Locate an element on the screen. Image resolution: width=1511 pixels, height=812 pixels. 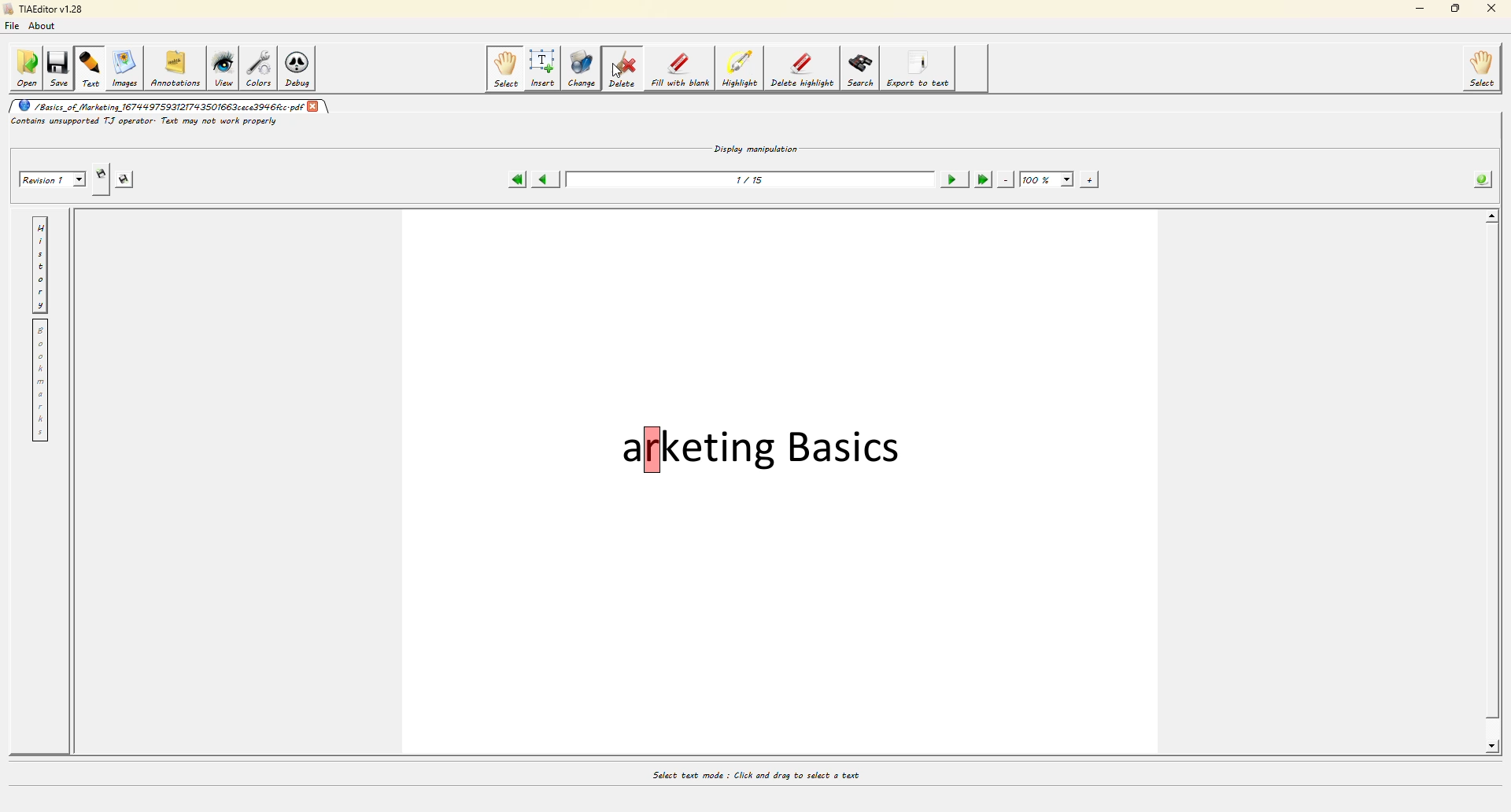
select is located at coordinates (504, 68).